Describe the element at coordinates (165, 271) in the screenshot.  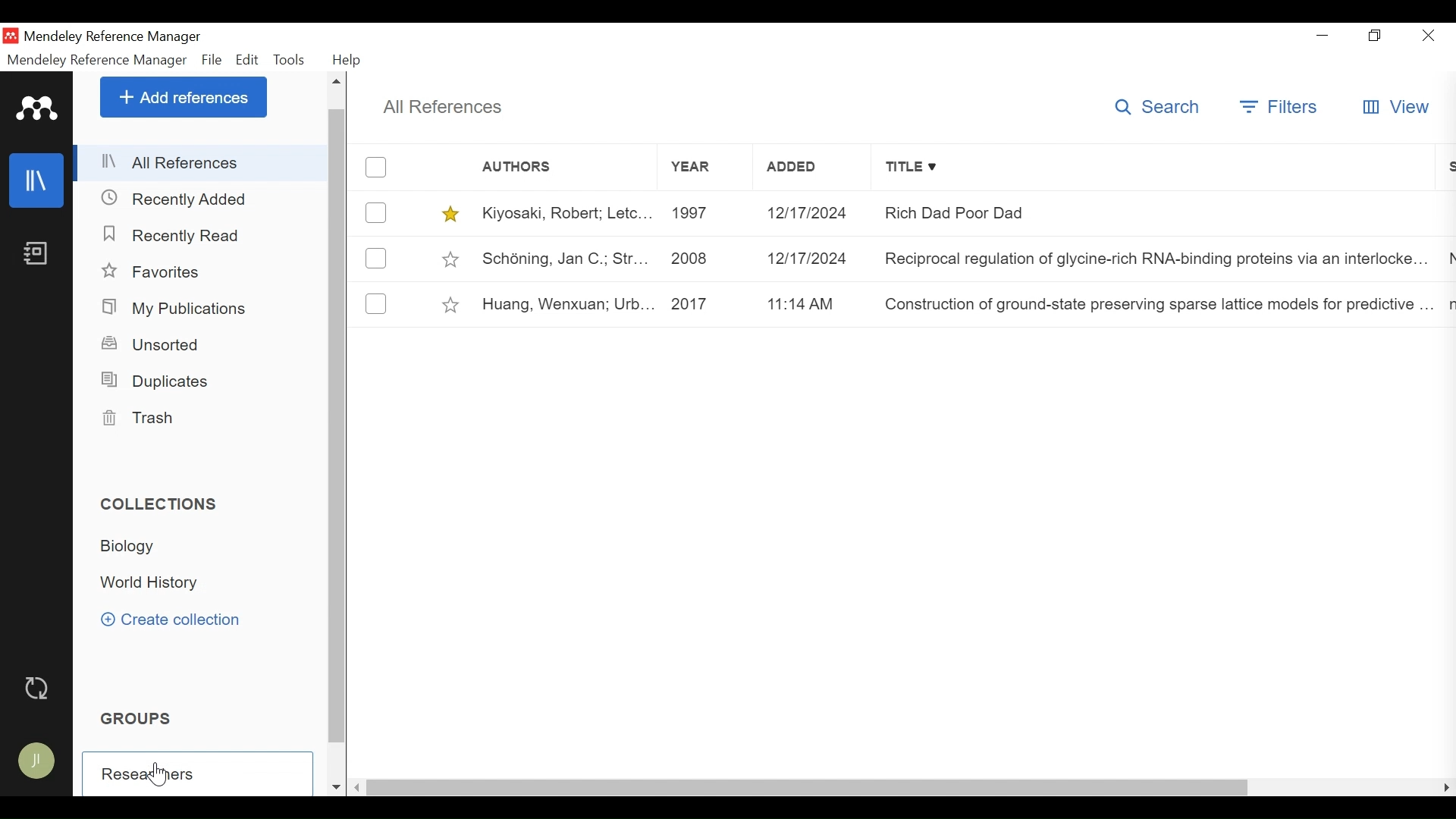
I see `Favorites` at that location.